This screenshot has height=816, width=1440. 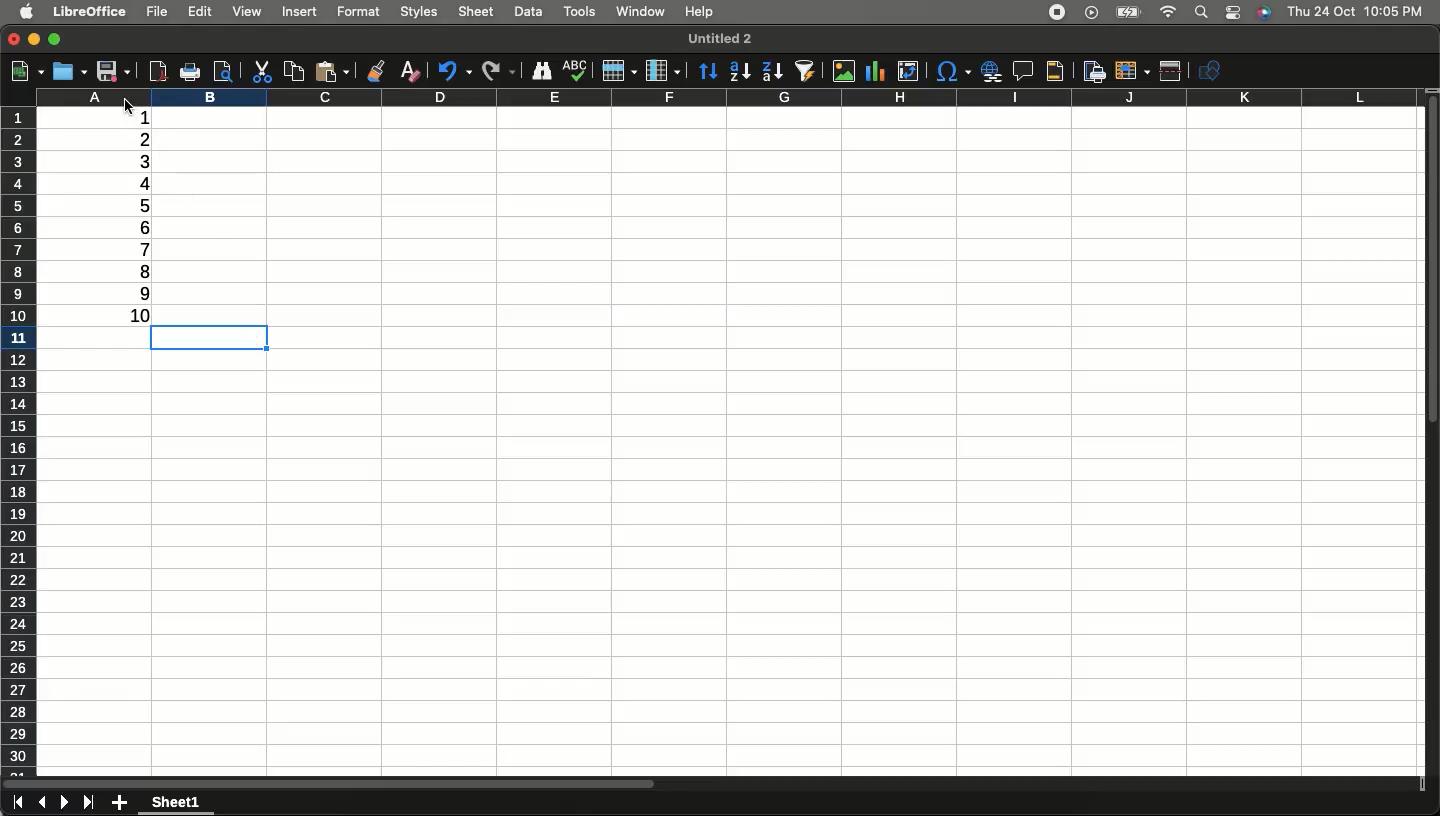 I want to click on  Vertical Scroll bar, so click(x=1431, y=269).